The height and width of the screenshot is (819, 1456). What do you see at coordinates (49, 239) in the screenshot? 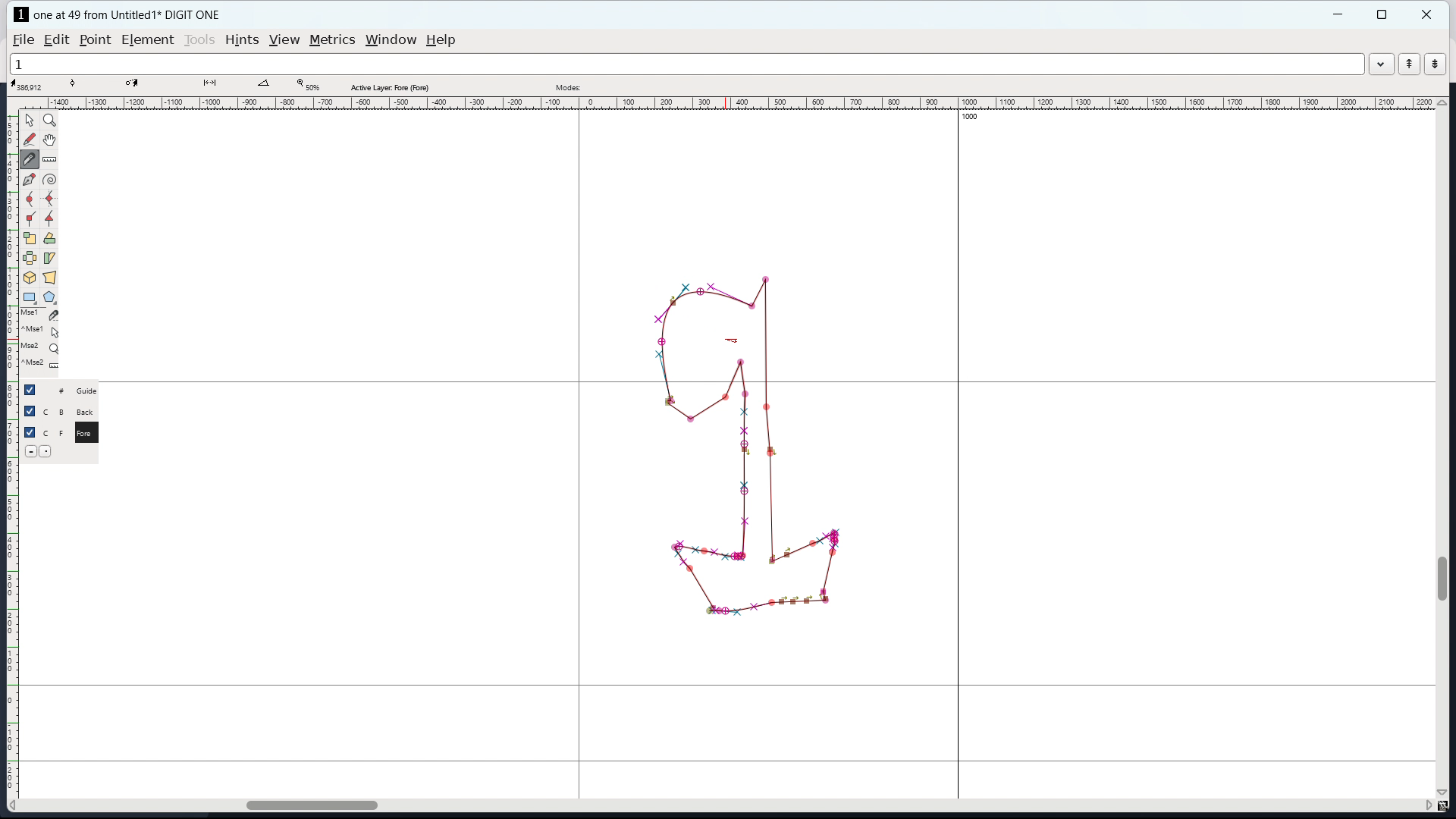
I see `rotate the selection` at bounding box center [49, 239].